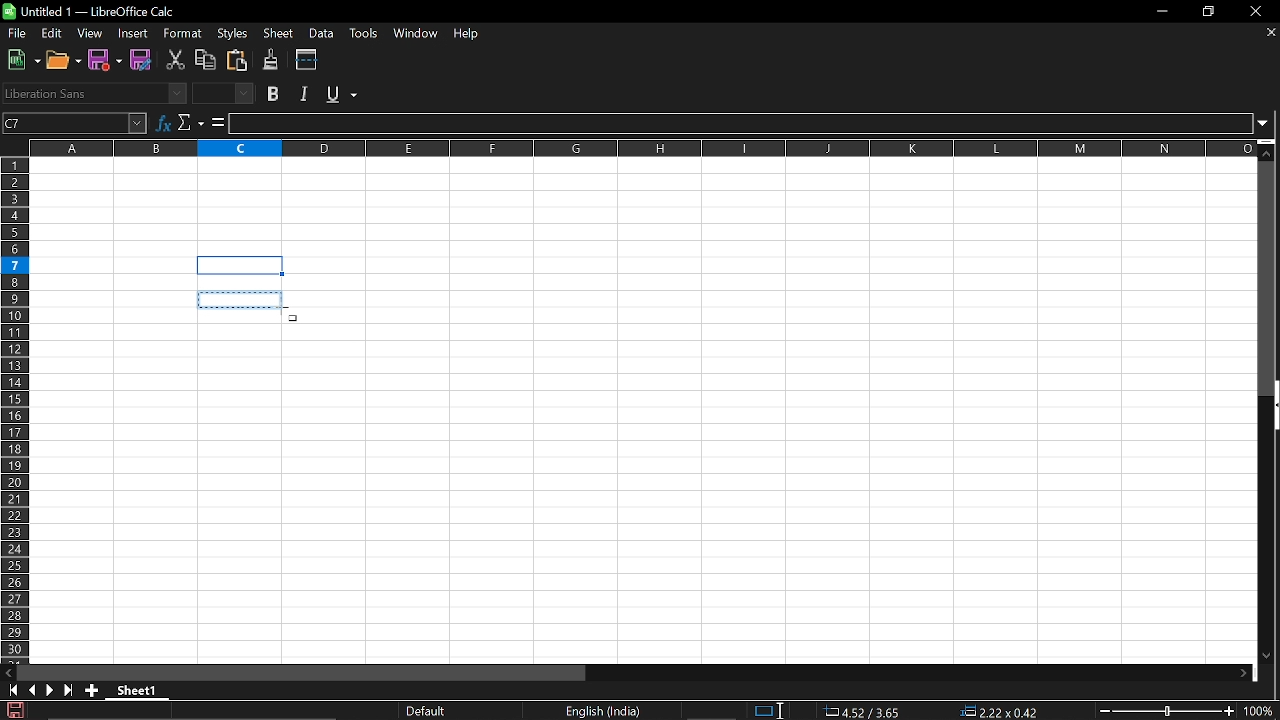 The width and height of the screenshot is (1280, 720). Describe the element at coordinates (205, 60) in the screenshot. I see `Copy` at that location.